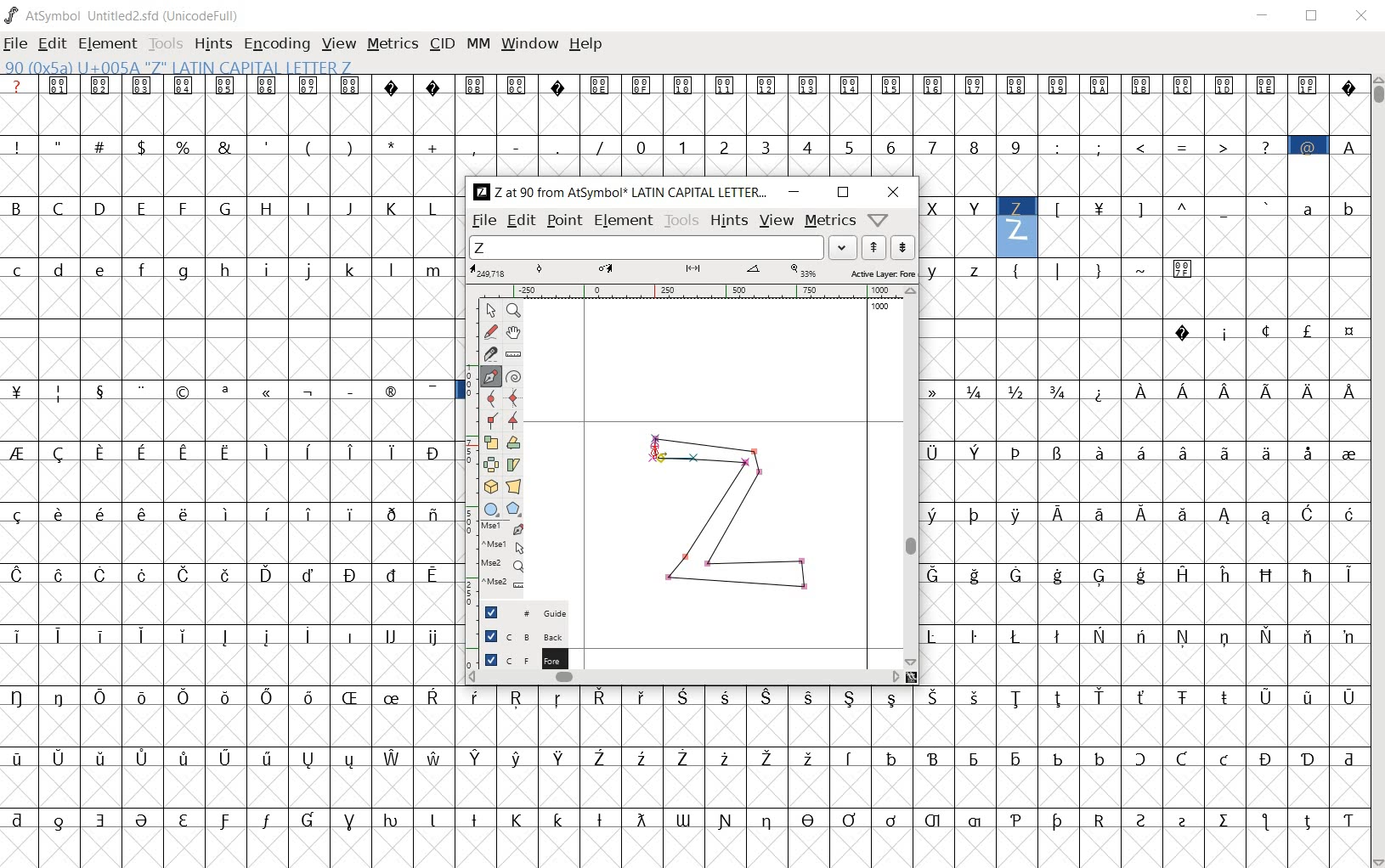 Image resolution: width=1385 pixels, height=868 pixels. What do you see at coordinates (732, 520) in the screenshot?
I see `GLYPY Z ` at bounding box center [732, 520].